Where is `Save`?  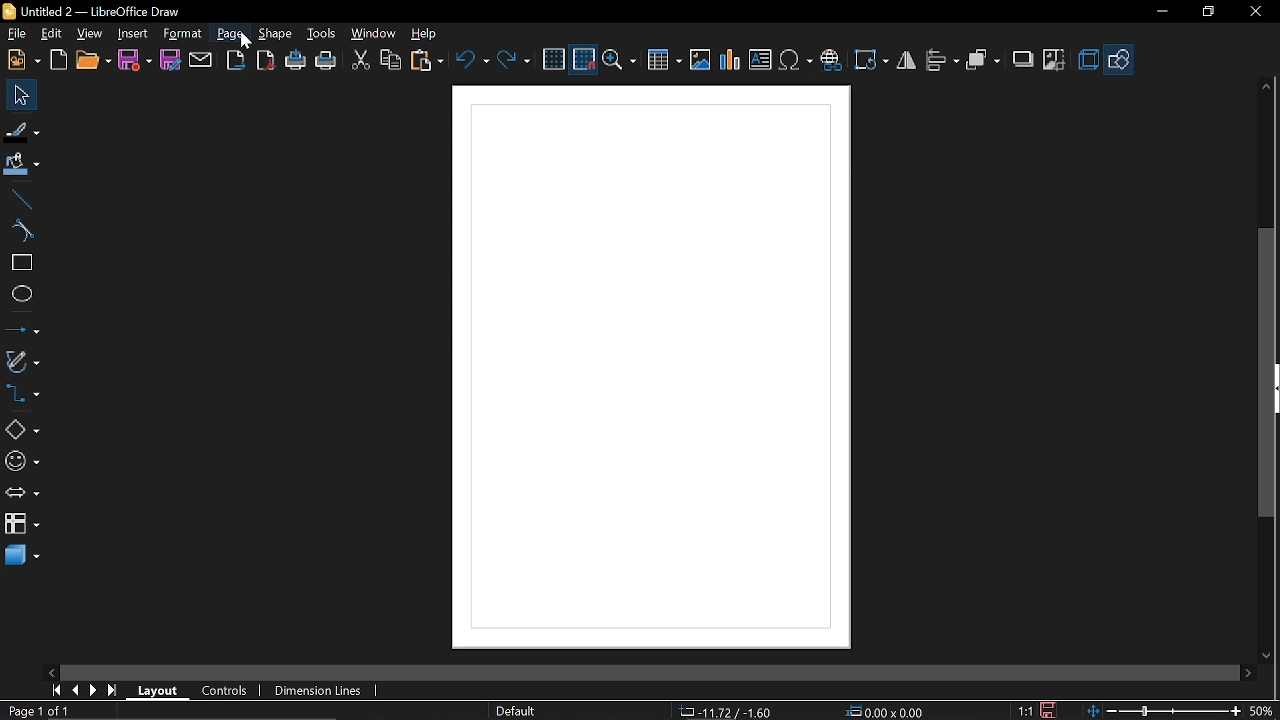
Save is located at coordinates (134, 61).